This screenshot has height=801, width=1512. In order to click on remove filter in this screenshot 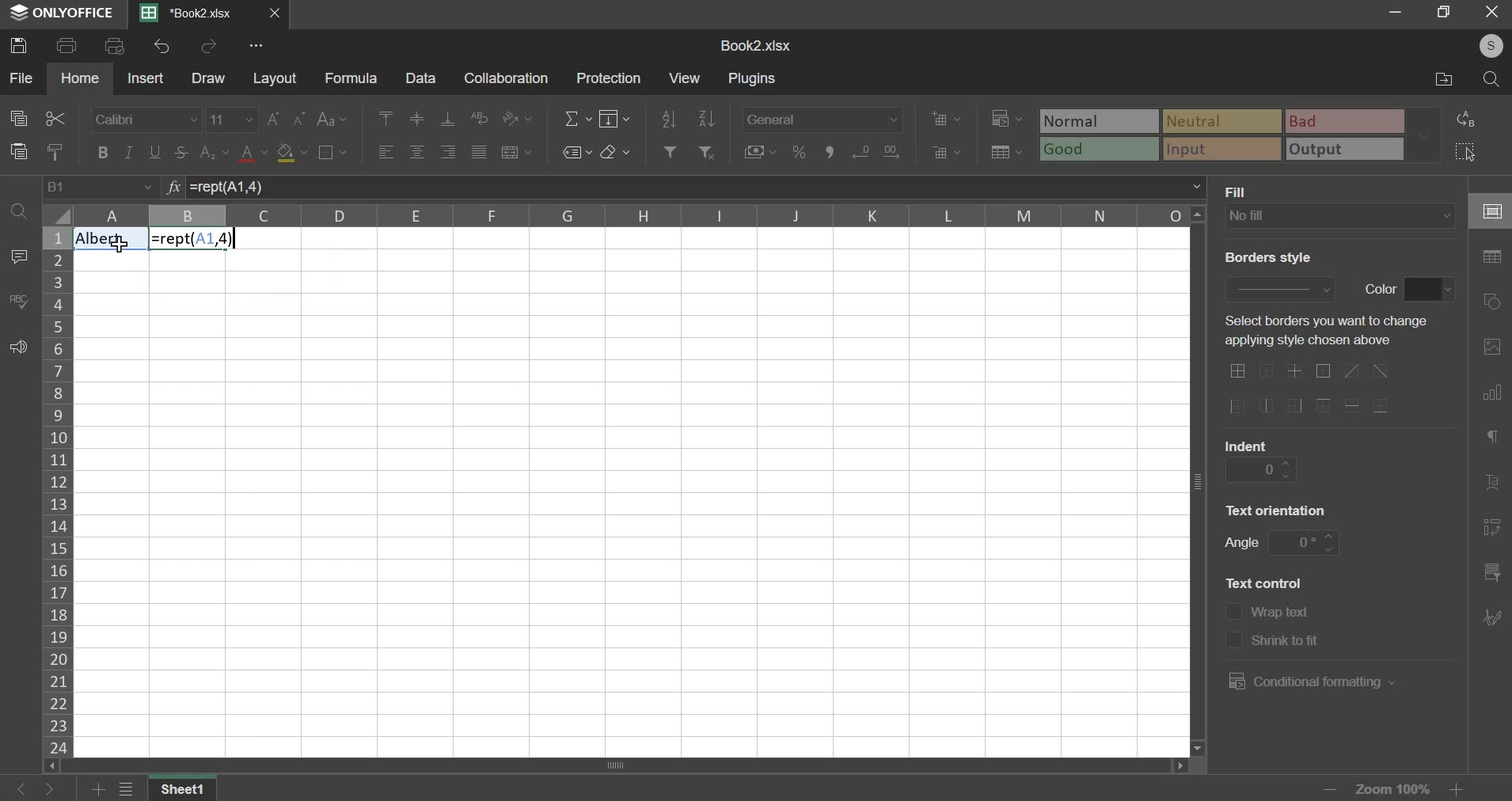, I will do `click(708, 152)`.